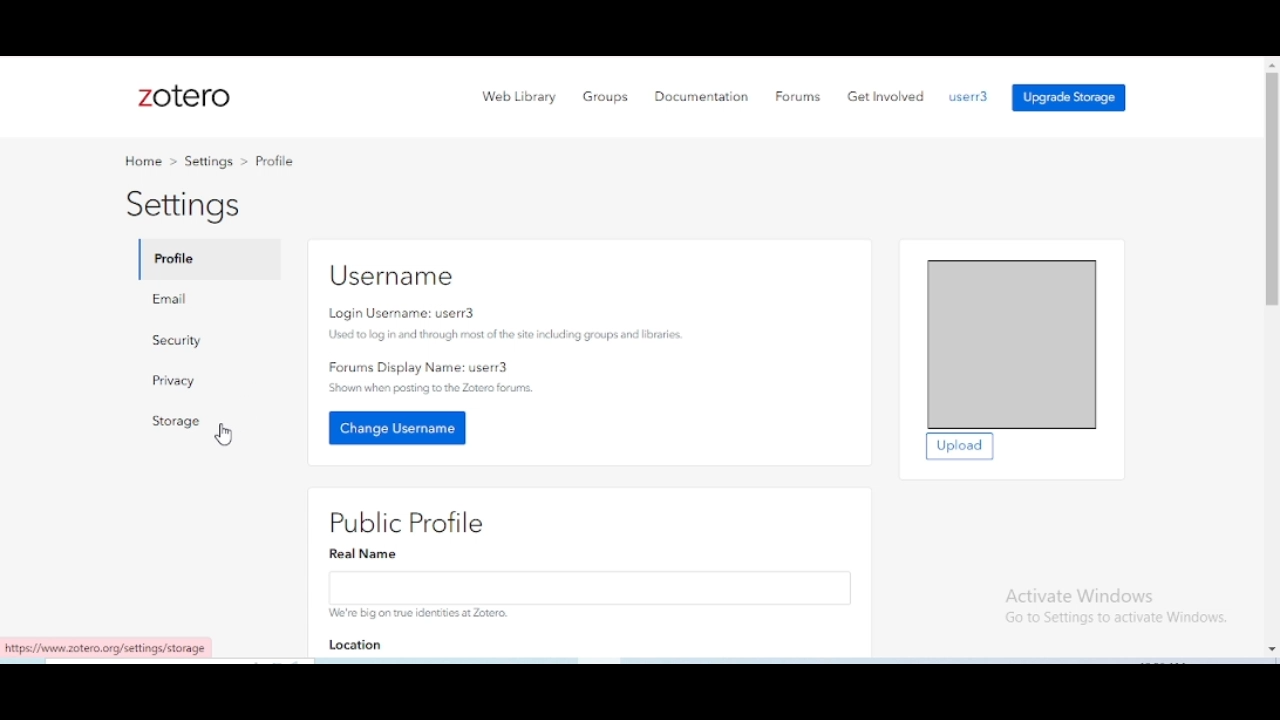 This screenshot has height=720, width=1280. Describe the element at coordinates (424, 367) in the screenshot. I see `Forums Display Name: user3` at that location.